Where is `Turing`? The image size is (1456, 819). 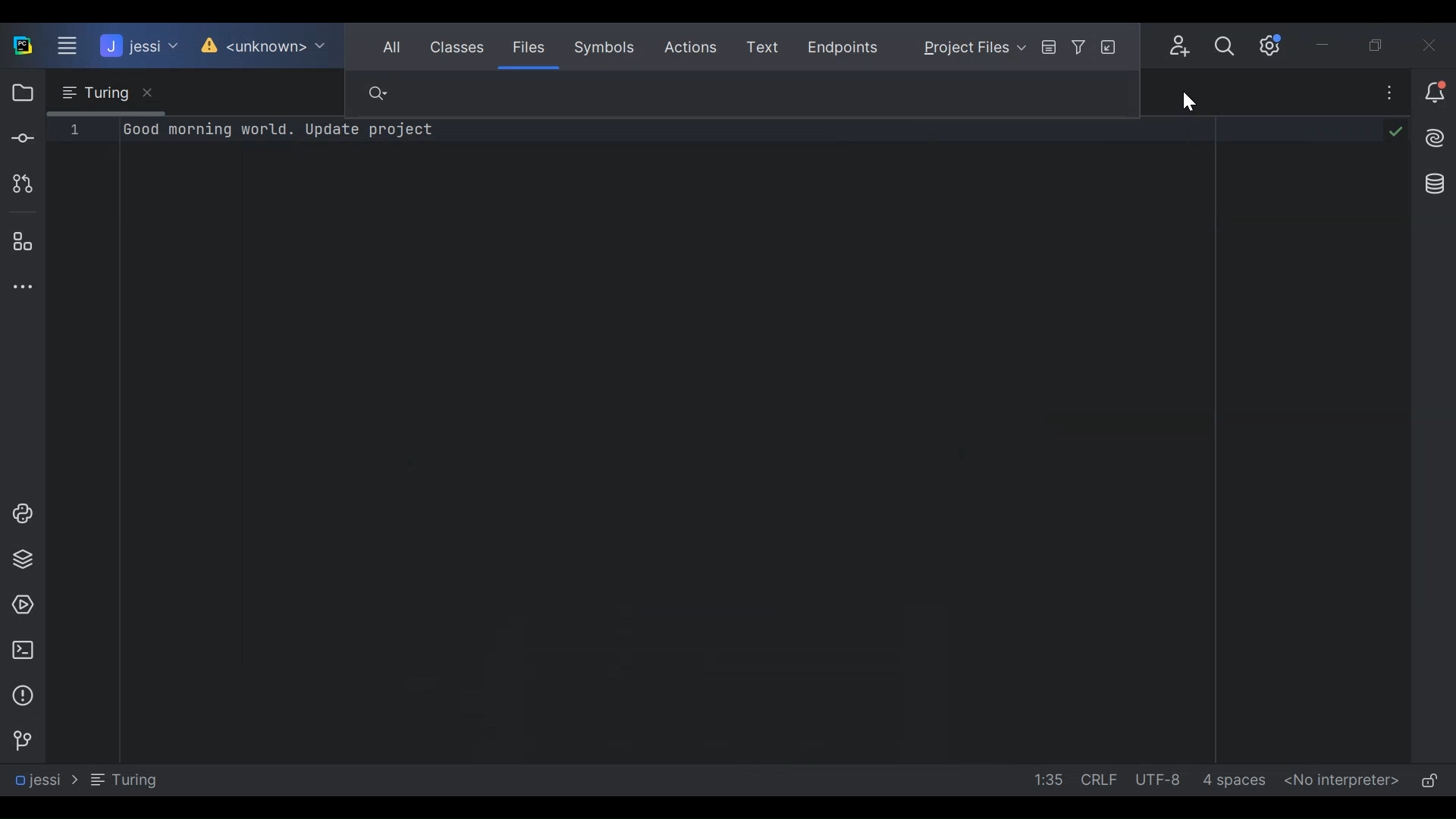 Turing is located at coordinates (106, 96).